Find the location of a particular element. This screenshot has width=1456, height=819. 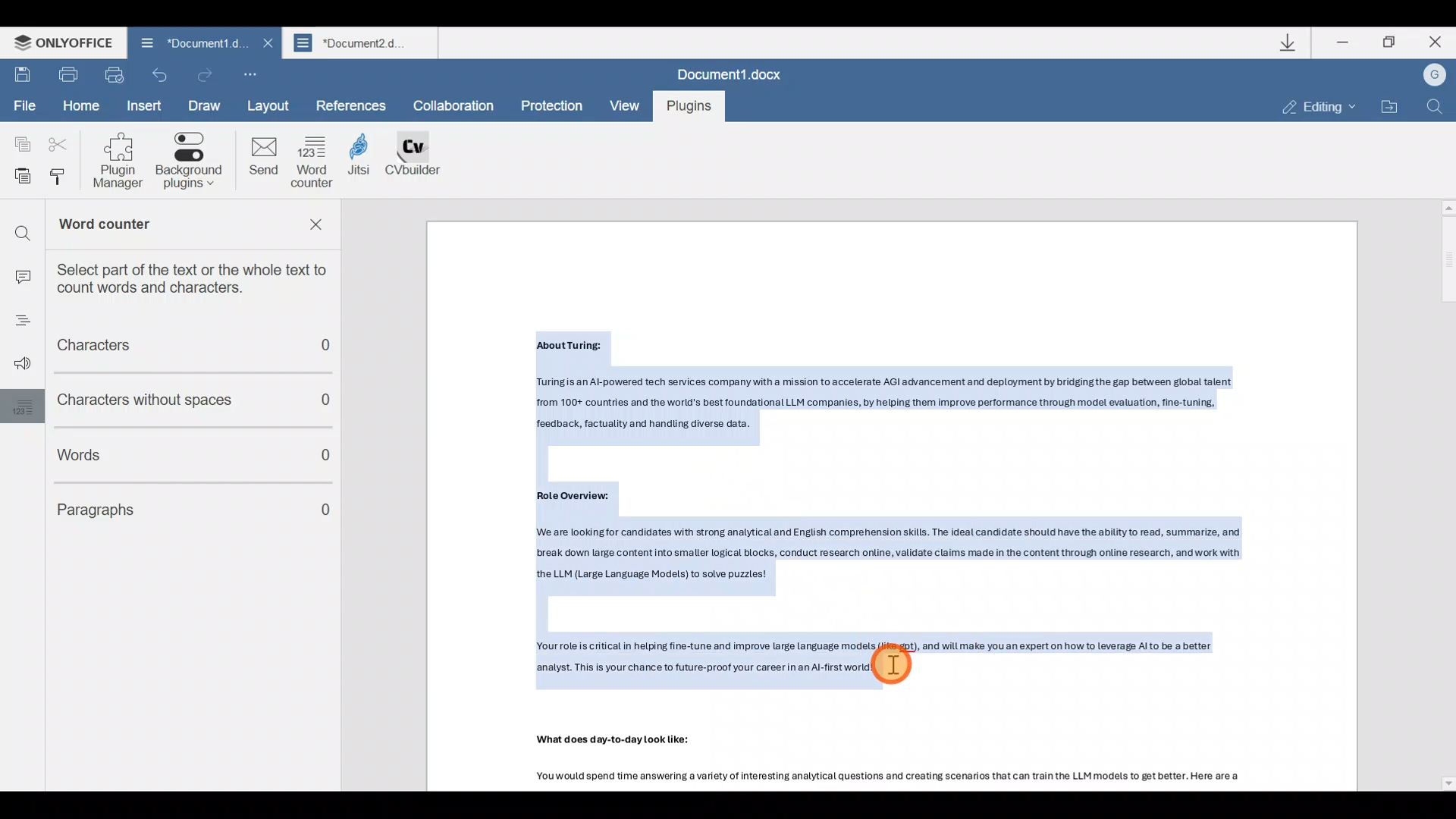

Print file is located at coordinates (68, 76).